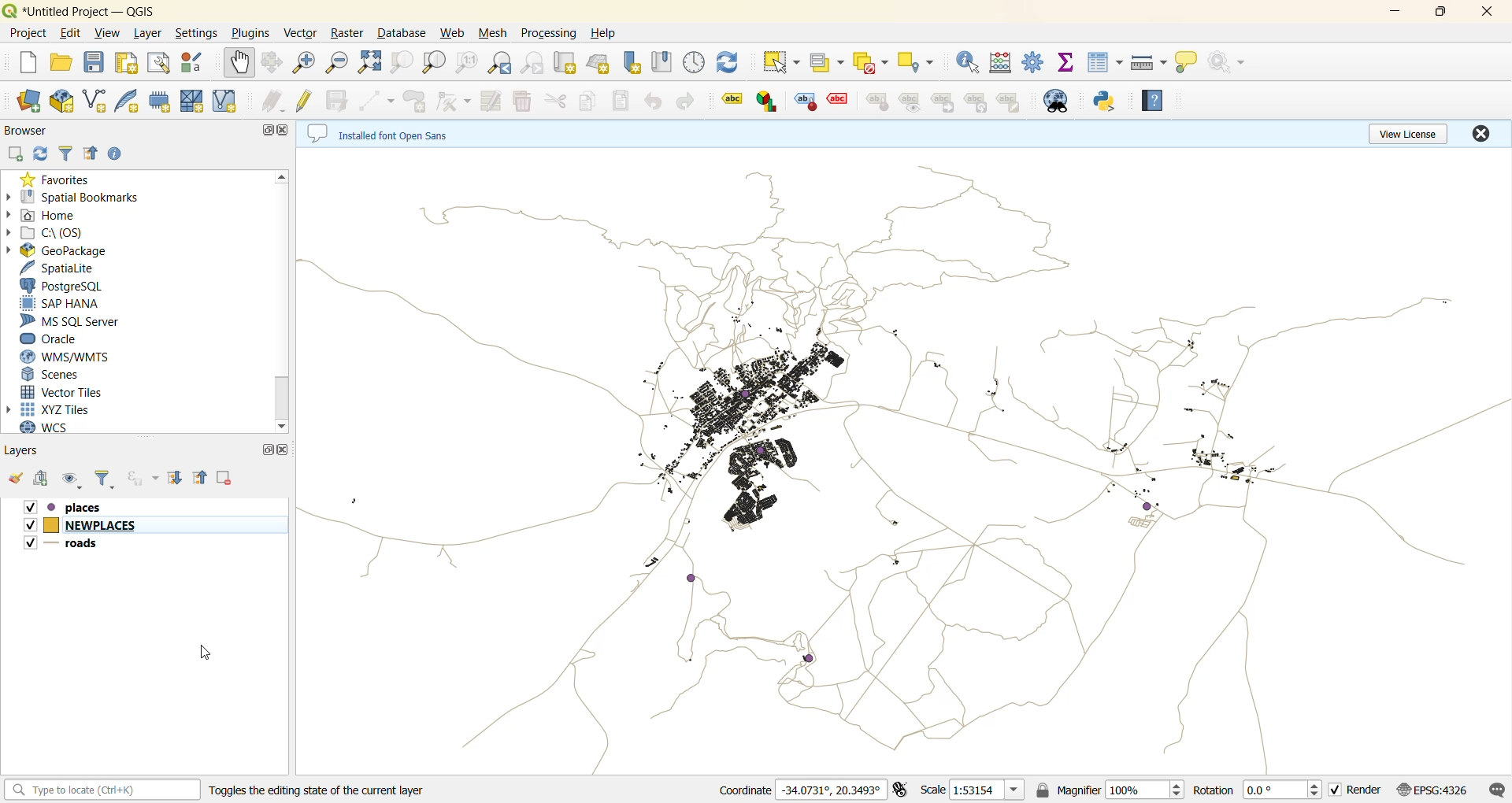  What do you see at coordinates (265, 449) in the screenshot?
I see `maximize` at bounding box center [265, 449].